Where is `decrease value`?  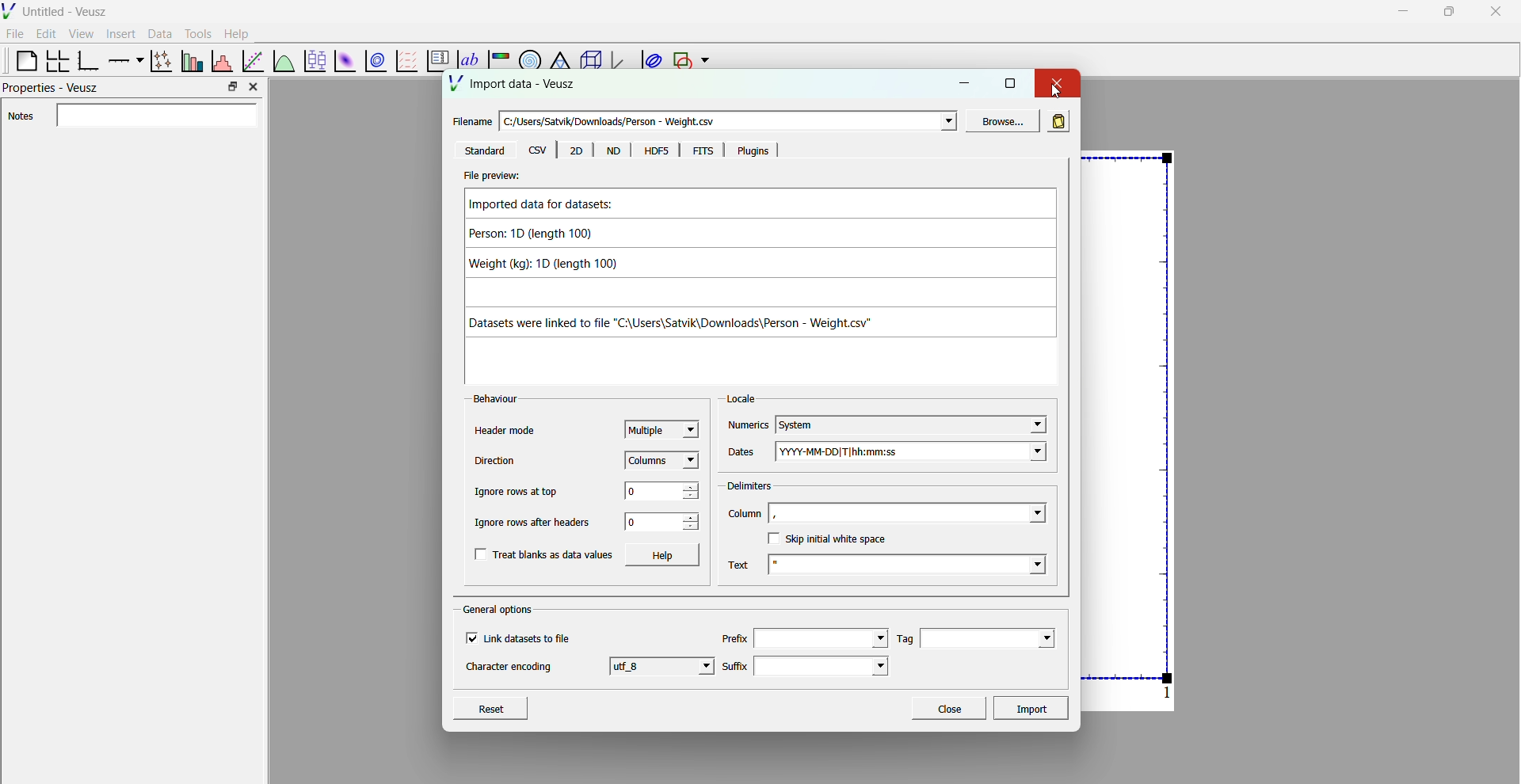 decrease value is located at coordinates (691, 496).